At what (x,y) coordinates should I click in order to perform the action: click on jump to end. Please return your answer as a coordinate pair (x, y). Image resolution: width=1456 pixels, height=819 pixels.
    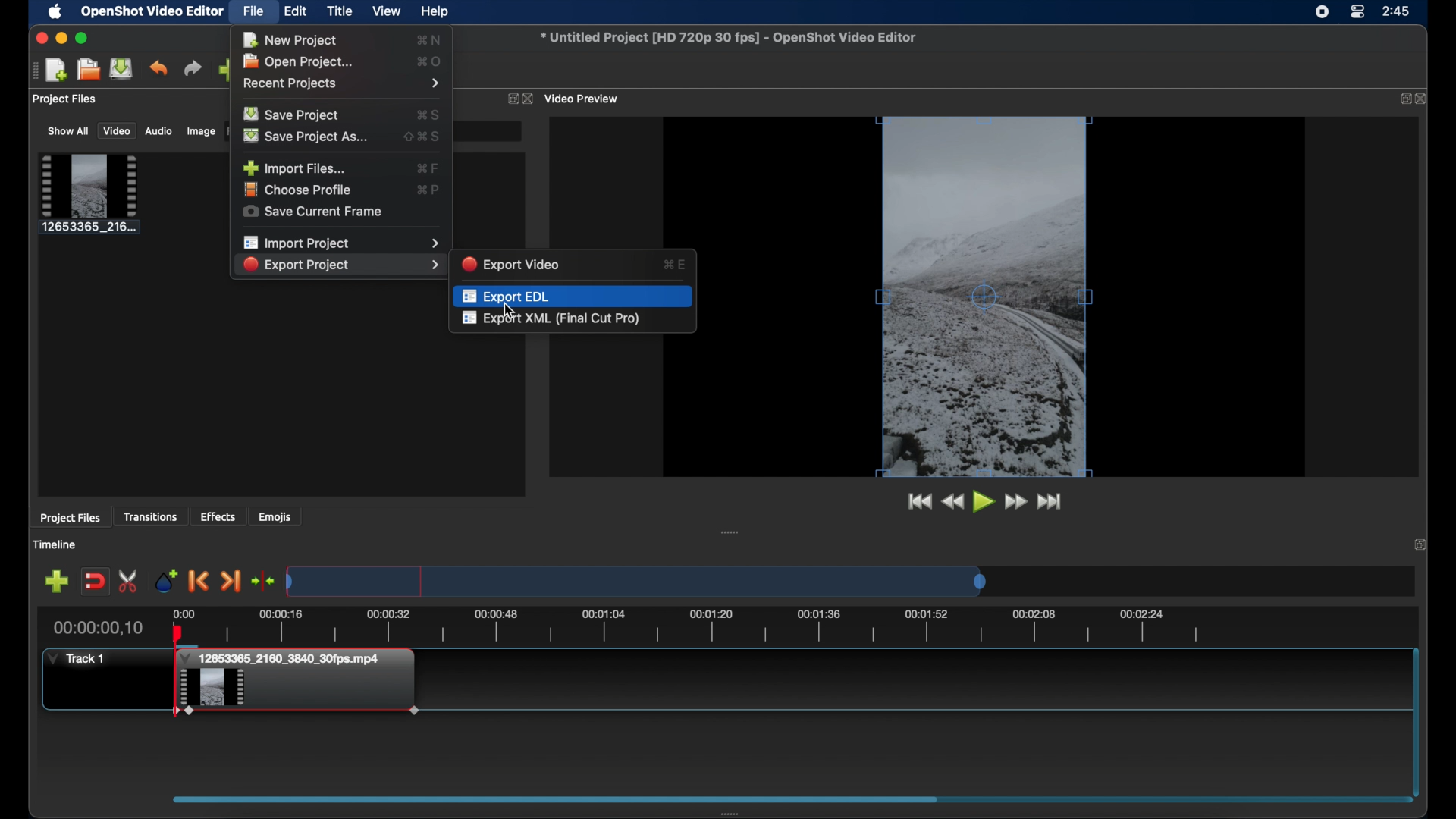
    Looking at the image, I should click on (1050, 501).